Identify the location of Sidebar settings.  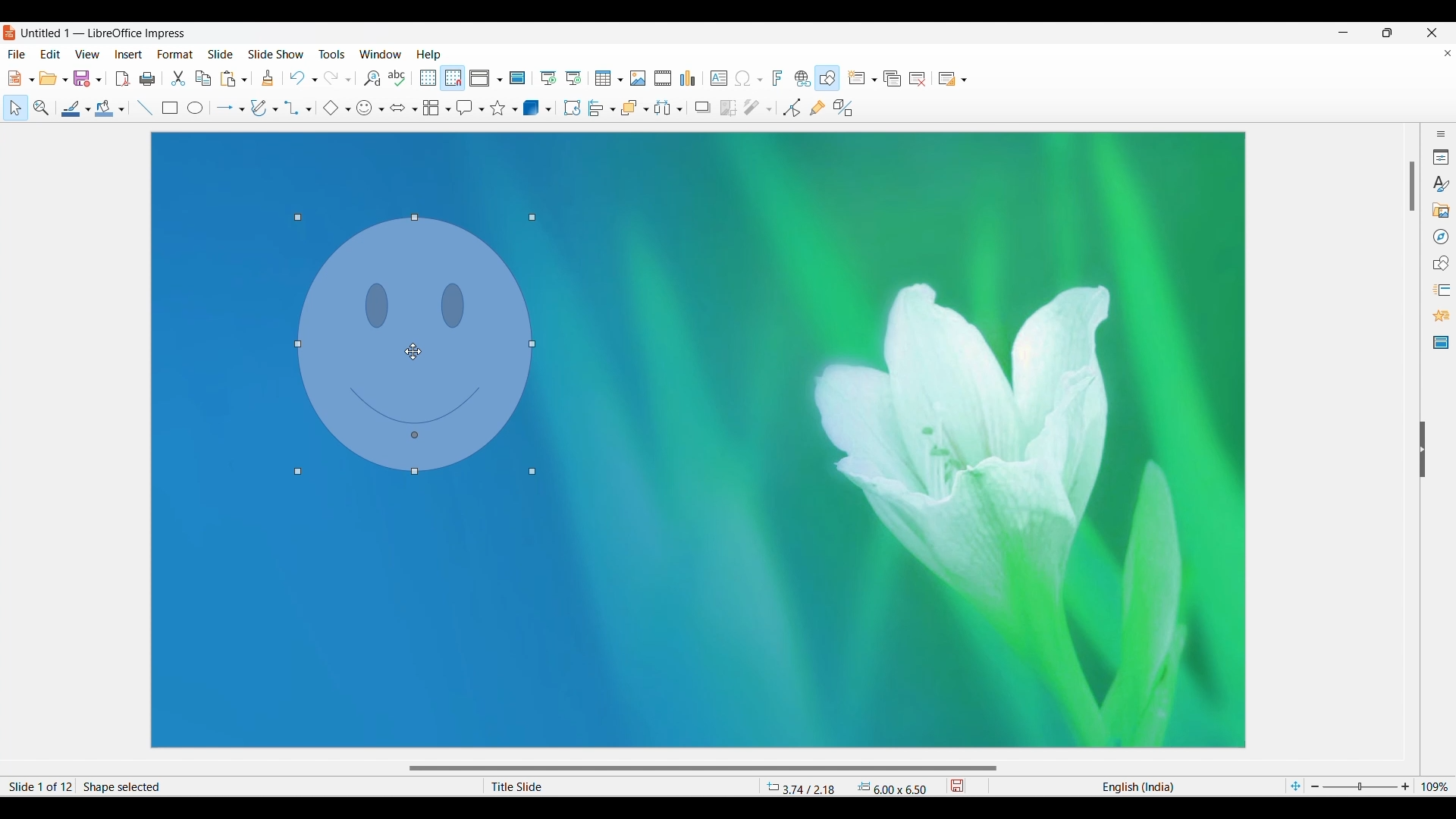
(1441, 133).